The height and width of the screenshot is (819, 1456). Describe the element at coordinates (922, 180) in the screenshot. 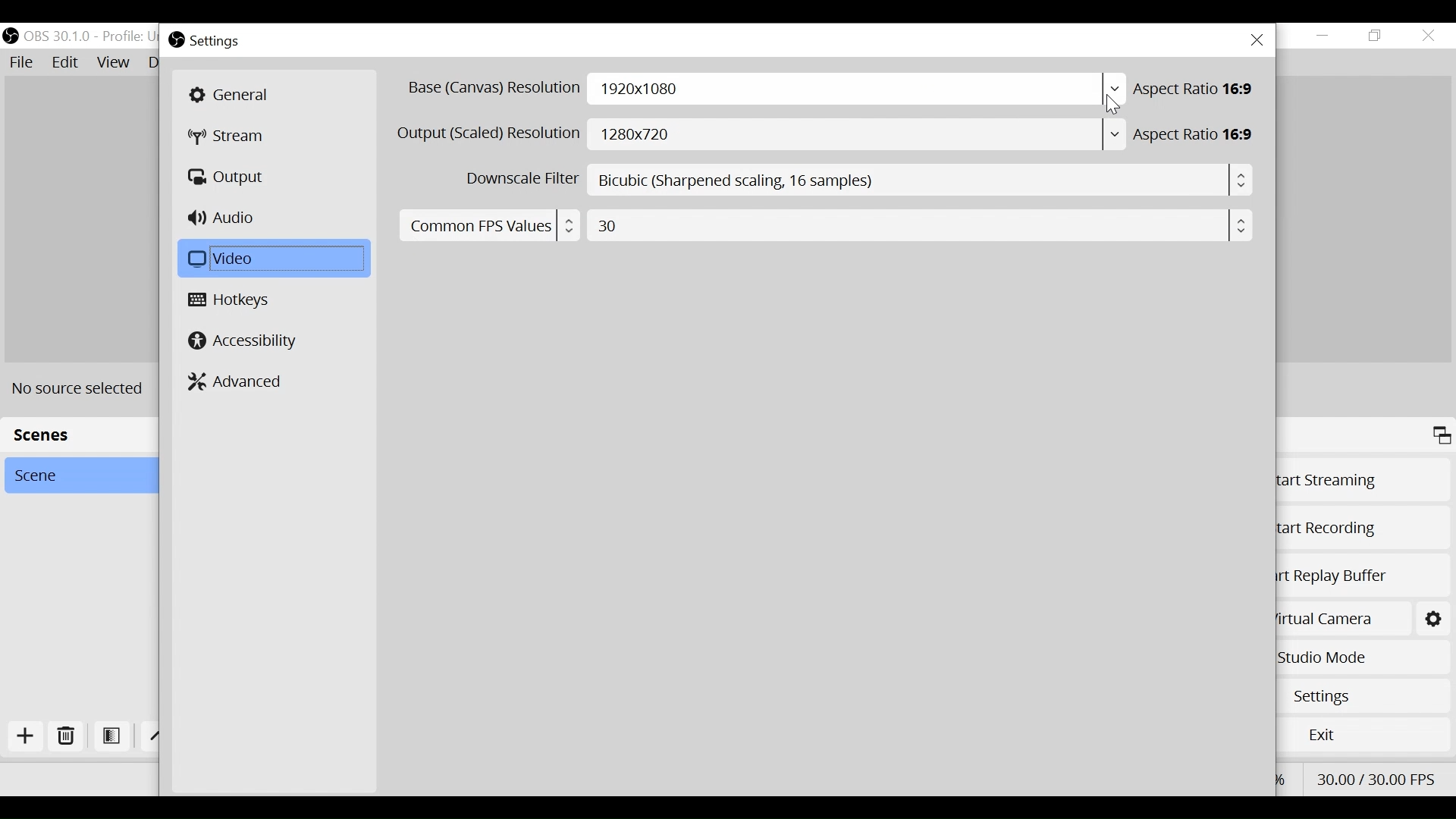

I see `Bicubic (sharpened scaling, 16 samples)` at that location.